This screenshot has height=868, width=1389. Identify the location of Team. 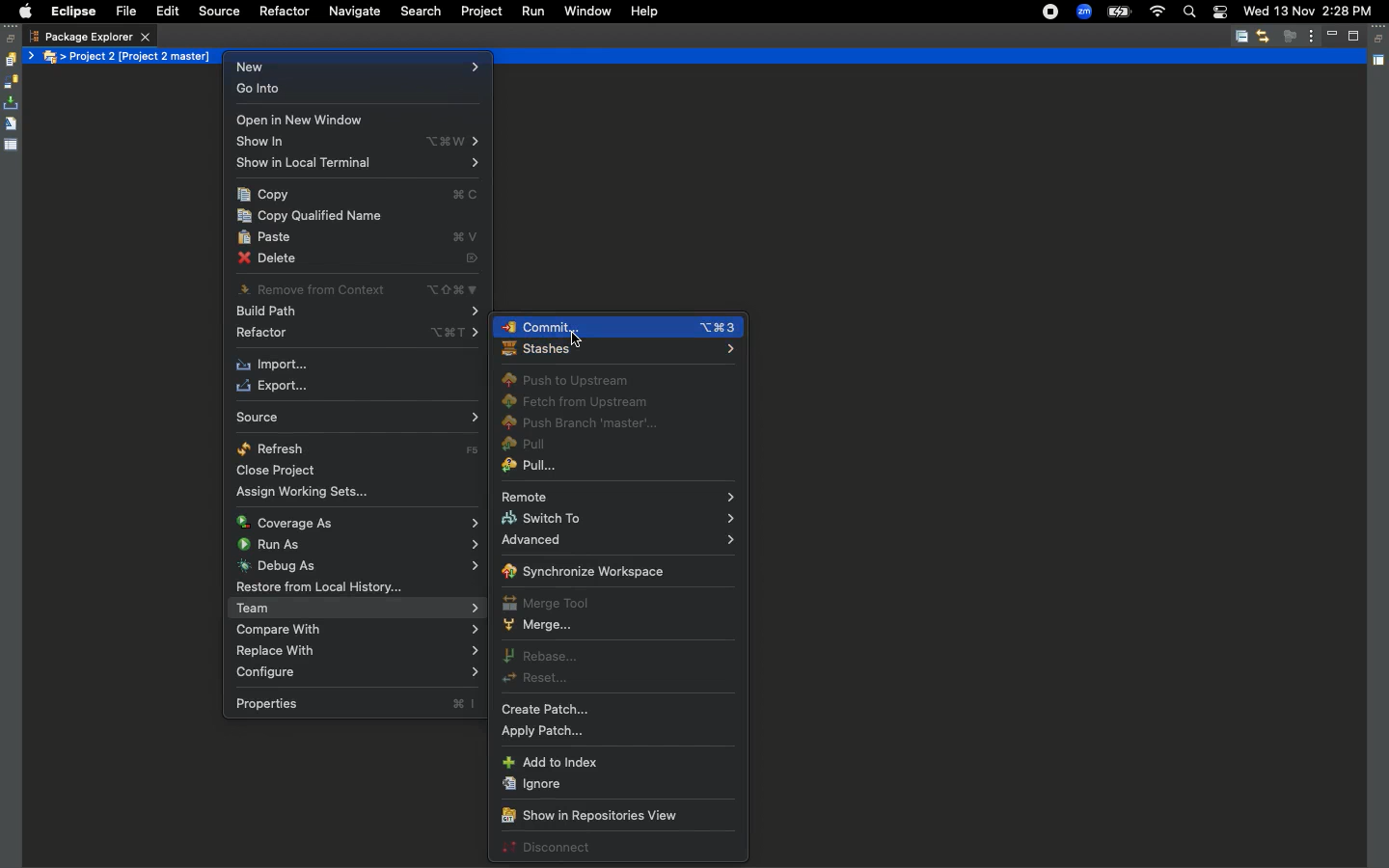
(357, 628).